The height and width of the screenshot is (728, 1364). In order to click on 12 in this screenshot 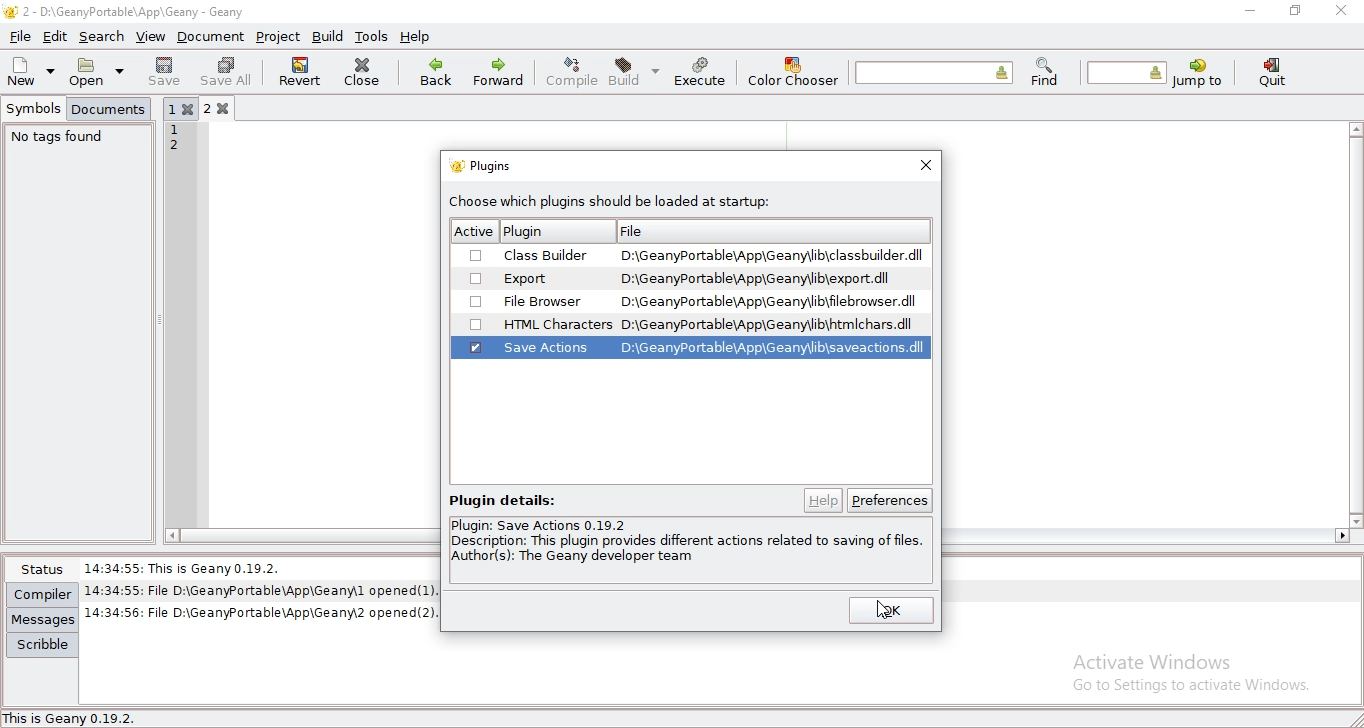, I will do `click(176, 142)`.